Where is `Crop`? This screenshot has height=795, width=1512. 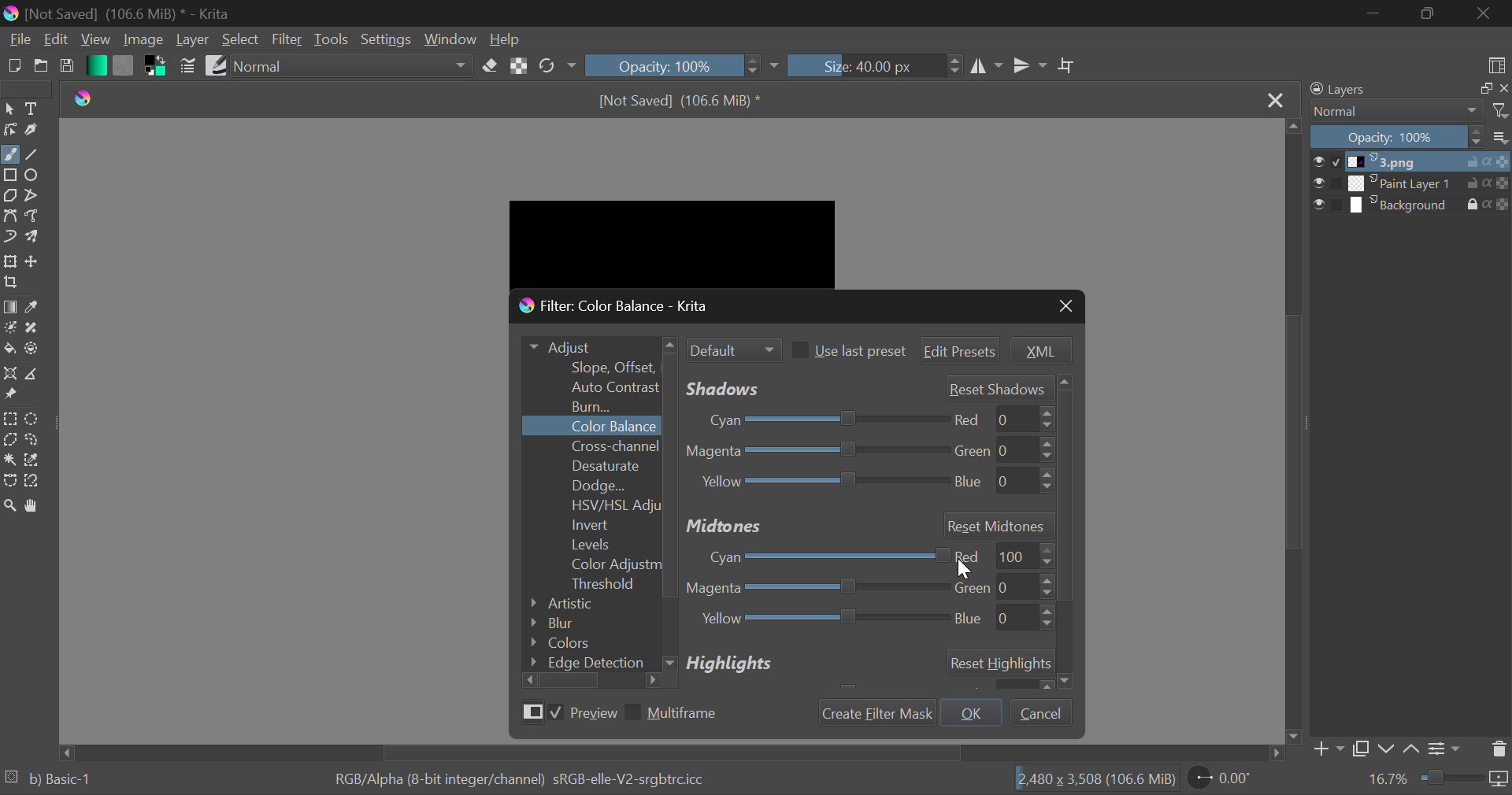 Crop is located at coordinates (13, 283).